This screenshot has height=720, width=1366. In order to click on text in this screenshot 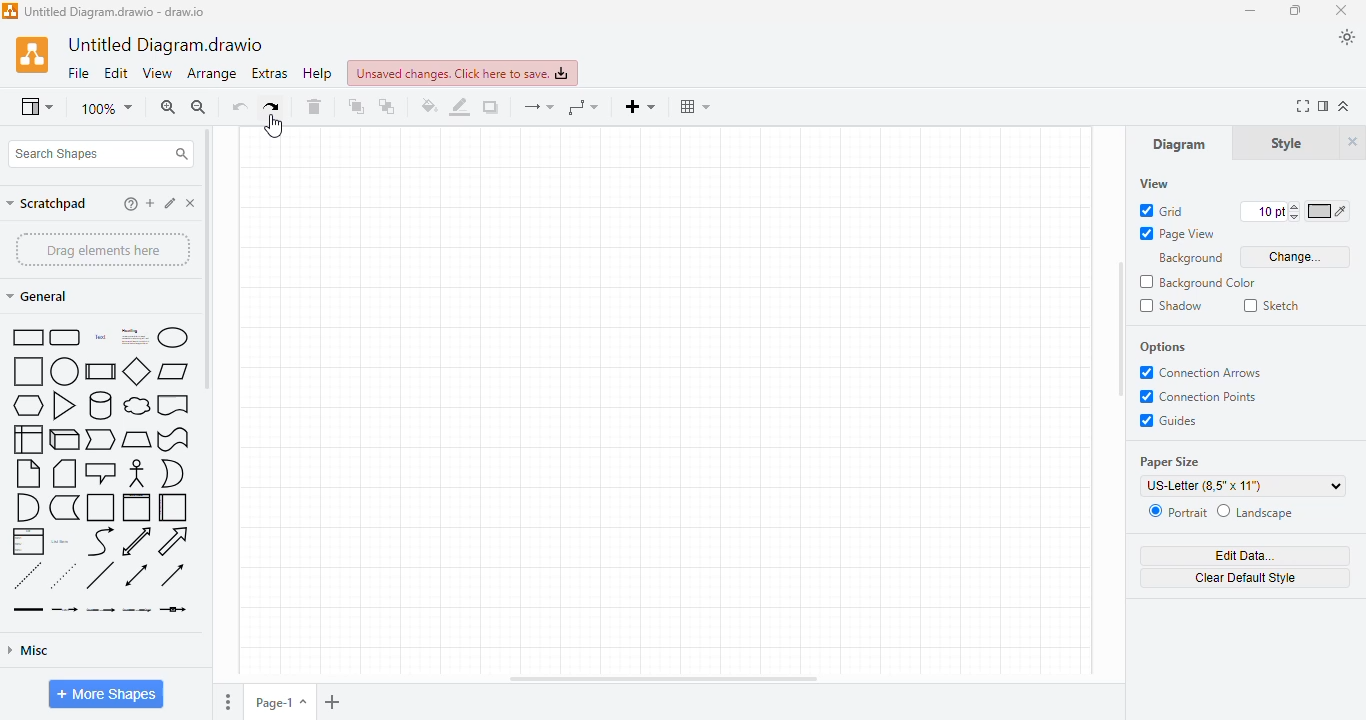, I will do `click(100, 337)`.